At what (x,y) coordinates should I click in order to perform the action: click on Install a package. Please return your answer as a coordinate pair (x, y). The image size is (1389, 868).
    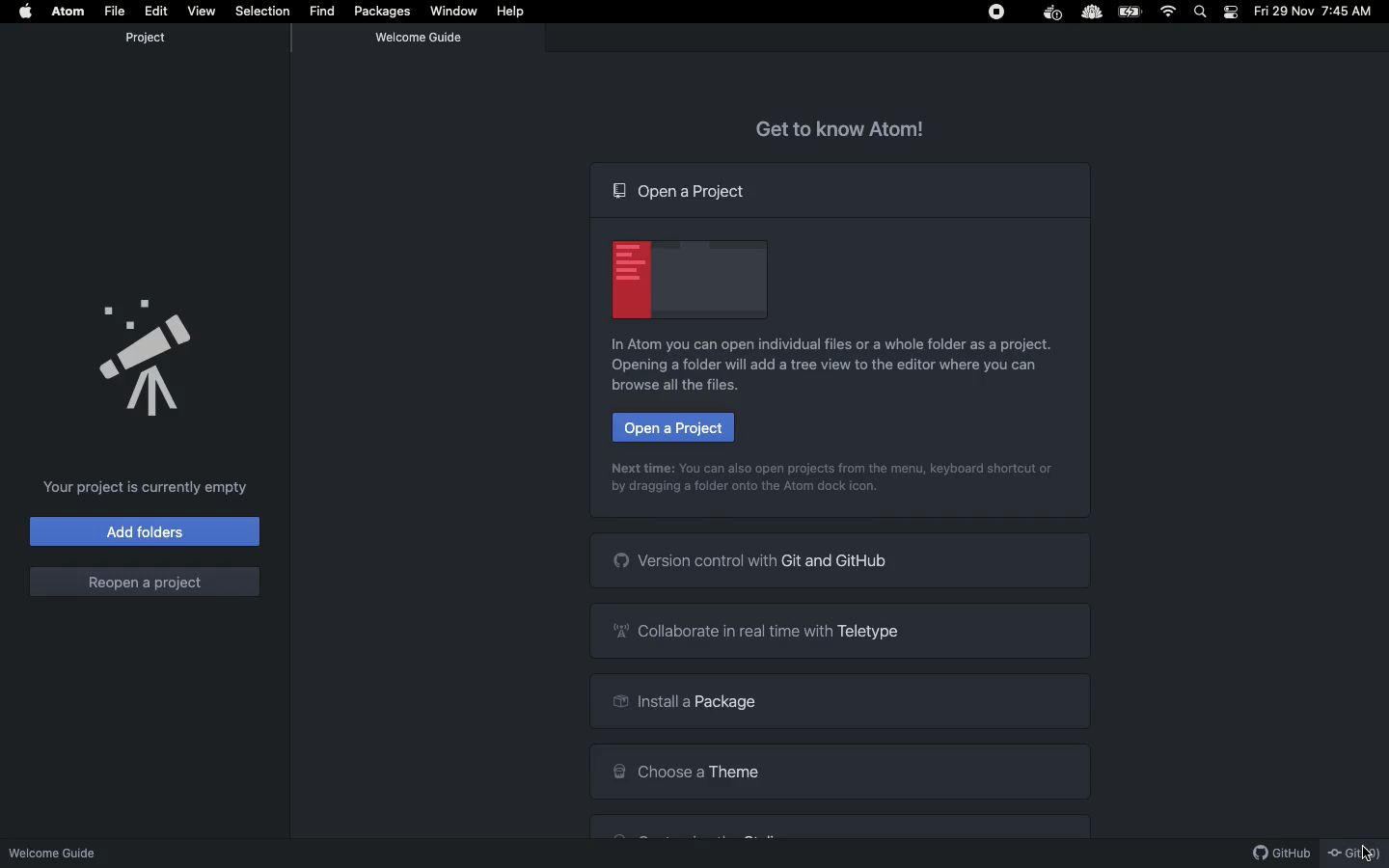
    Looking at the image, I should click on (841, 703).